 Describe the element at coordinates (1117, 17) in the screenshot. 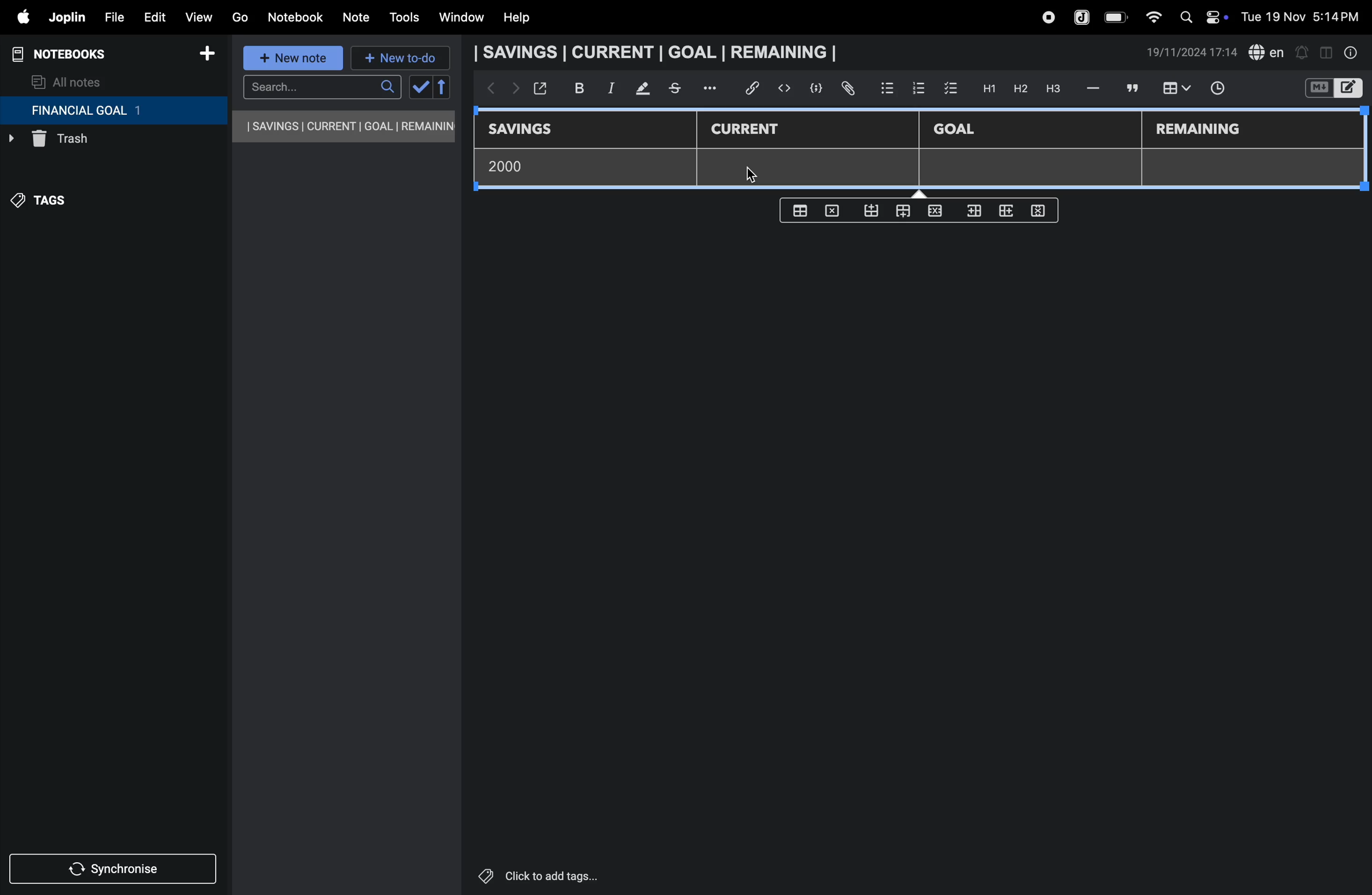

I see `battery` at that location.